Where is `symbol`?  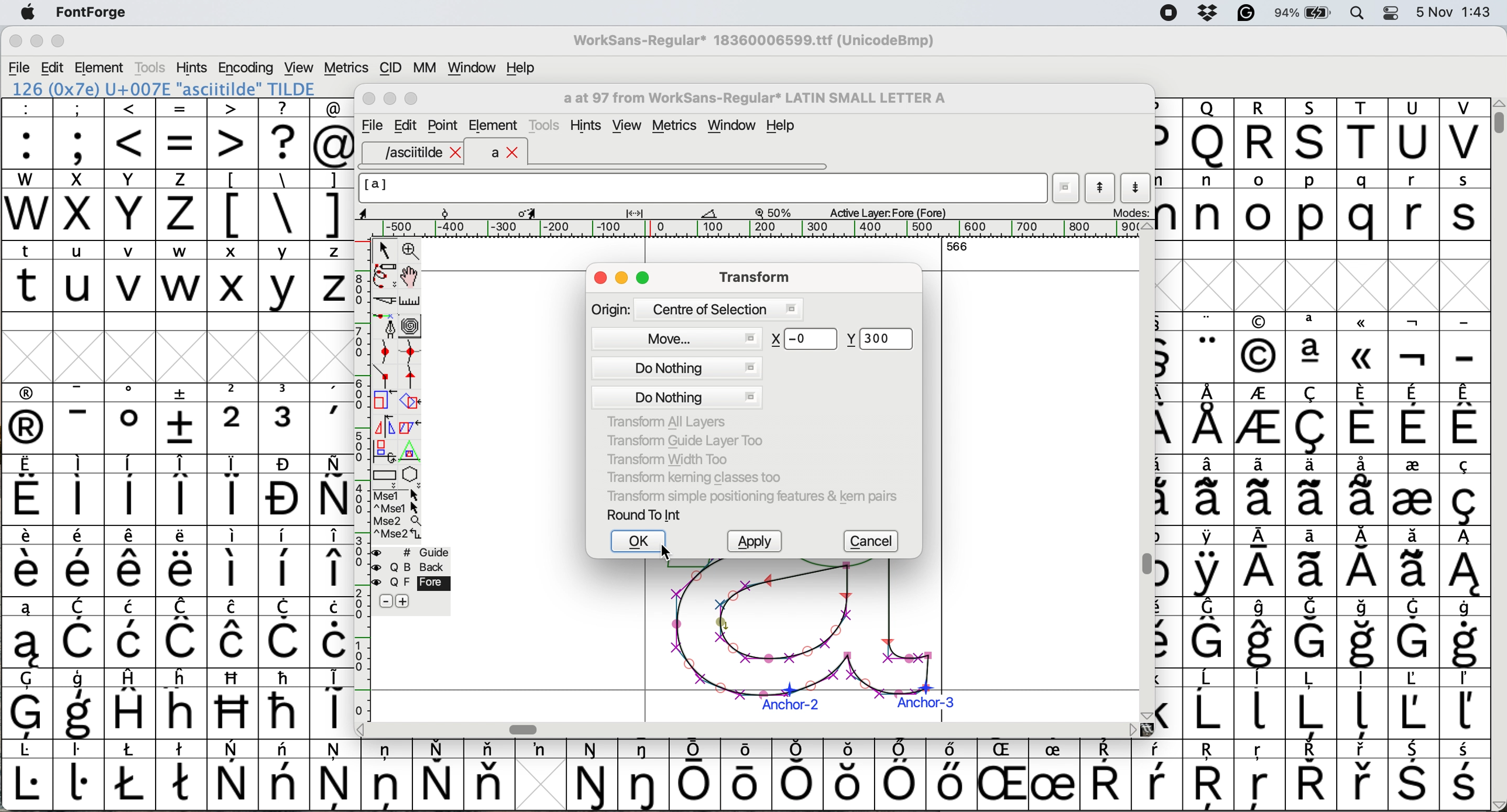
symbol is located at coordinates (284, 703).